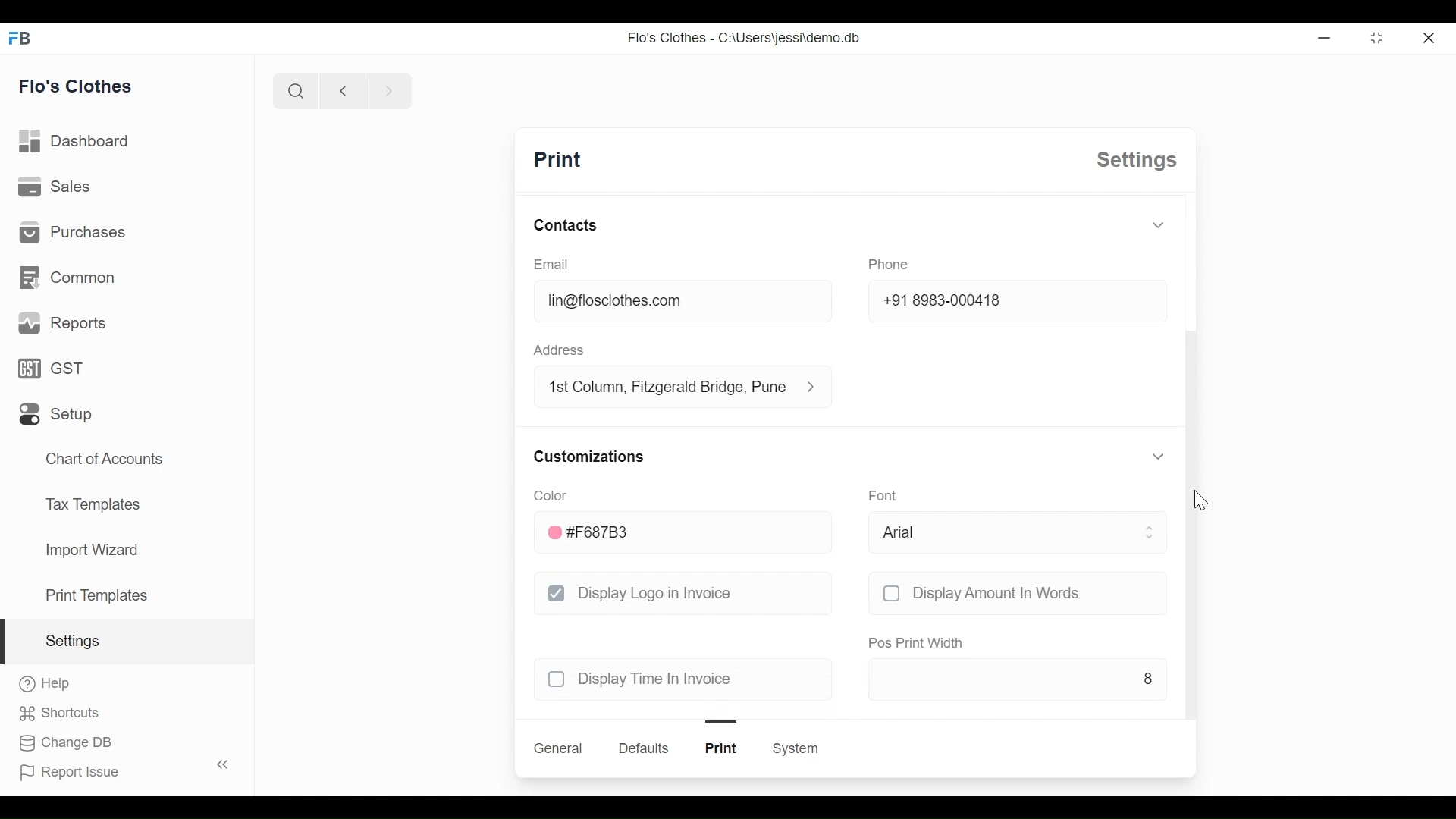  I want to click on arial, so click(1018, 532).